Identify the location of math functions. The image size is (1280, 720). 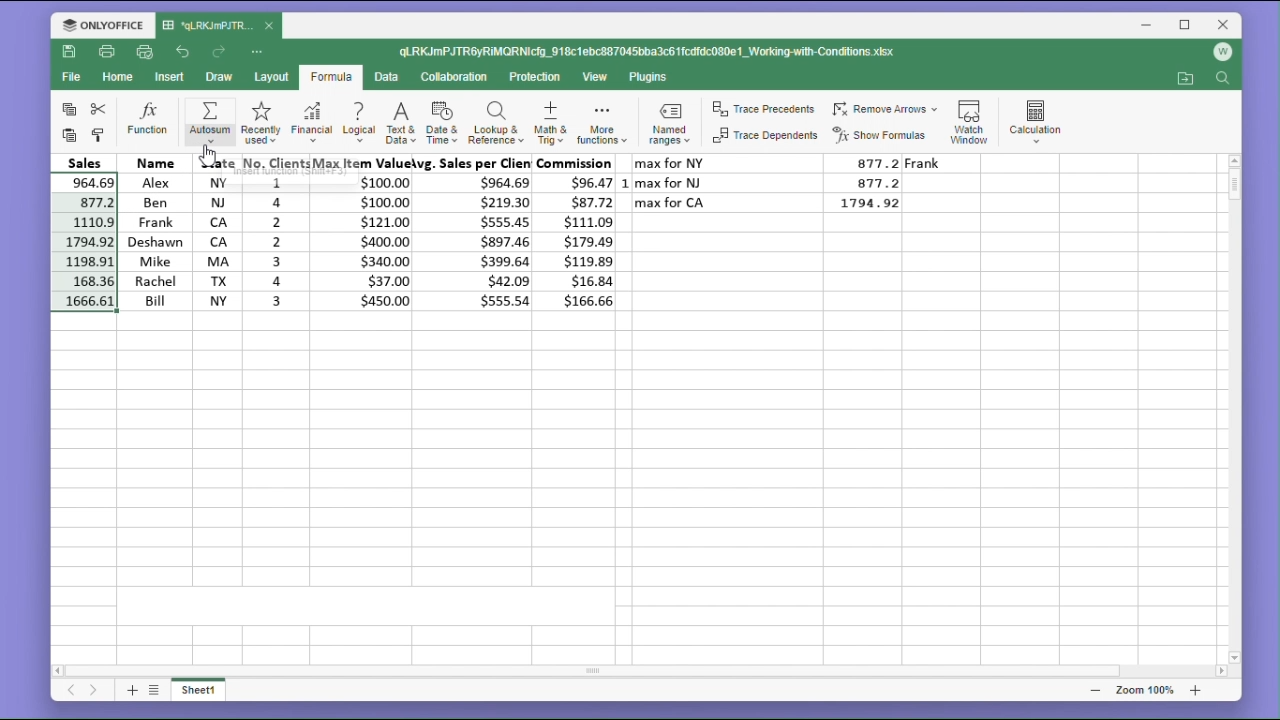
(601, 125).